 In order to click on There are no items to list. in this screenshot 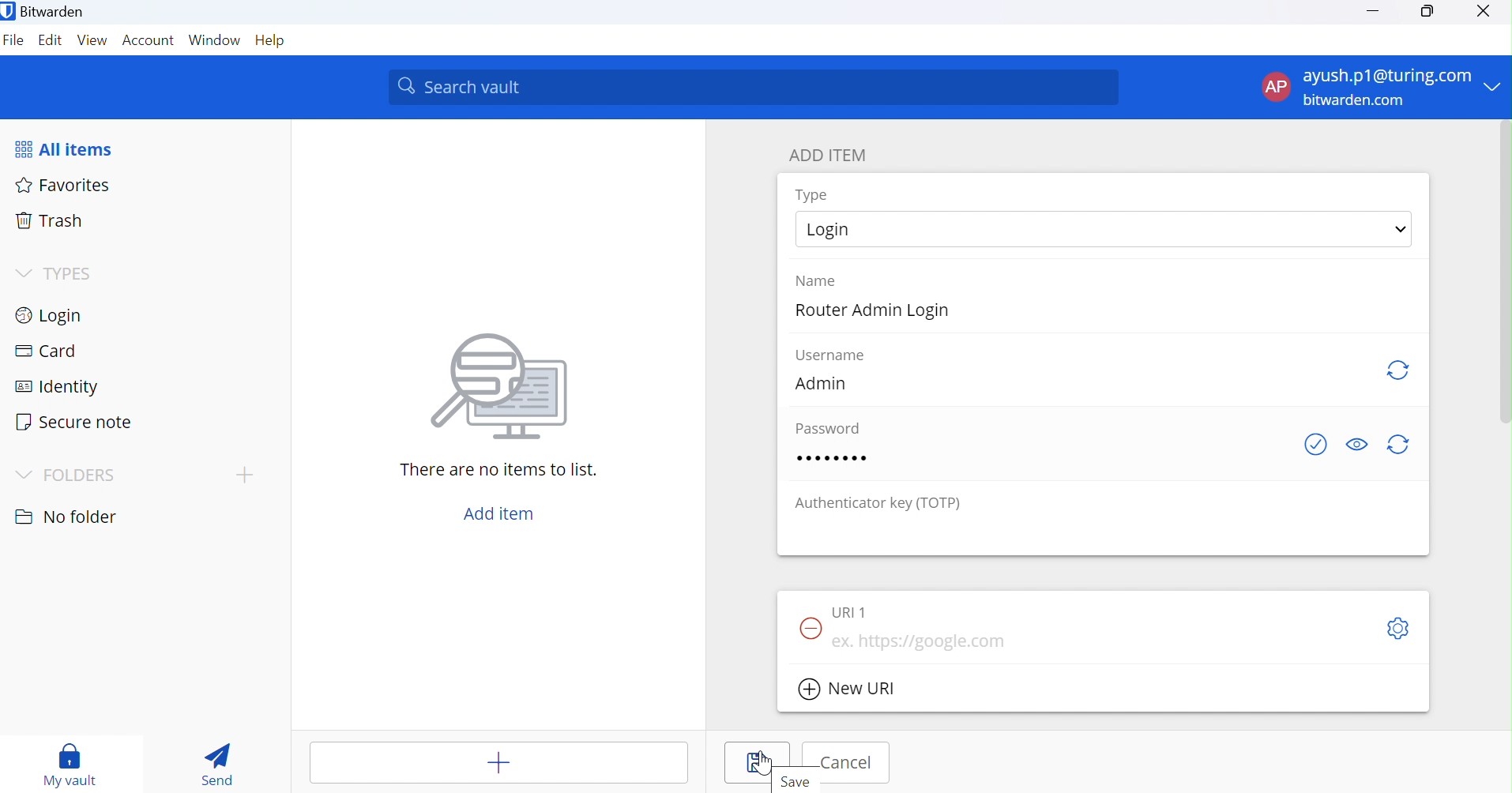, I will do `click(500, 470)`.